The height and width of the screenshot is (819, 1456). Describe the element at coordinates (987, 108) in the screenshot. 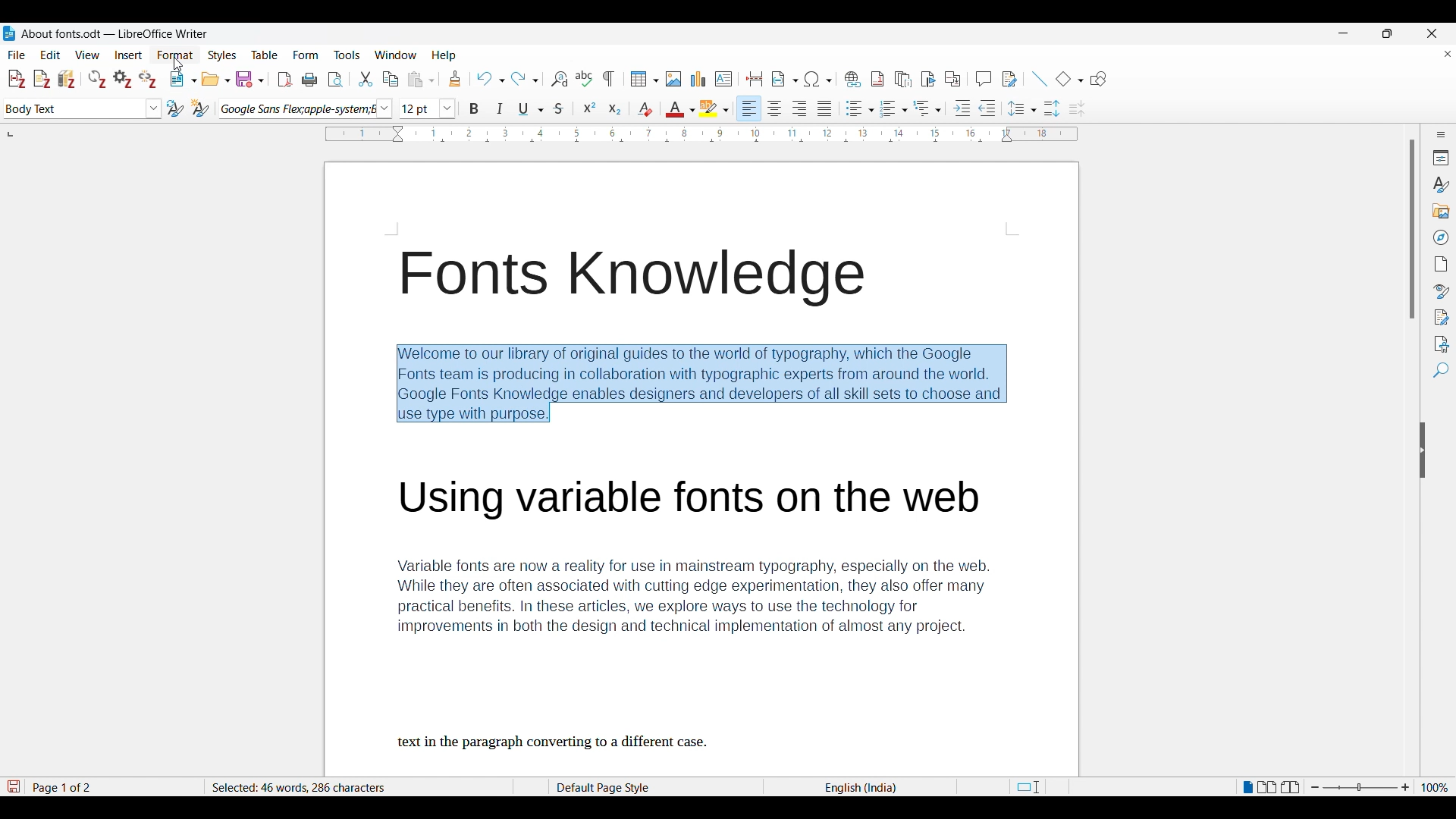

I see `Decrease indent` at that location.